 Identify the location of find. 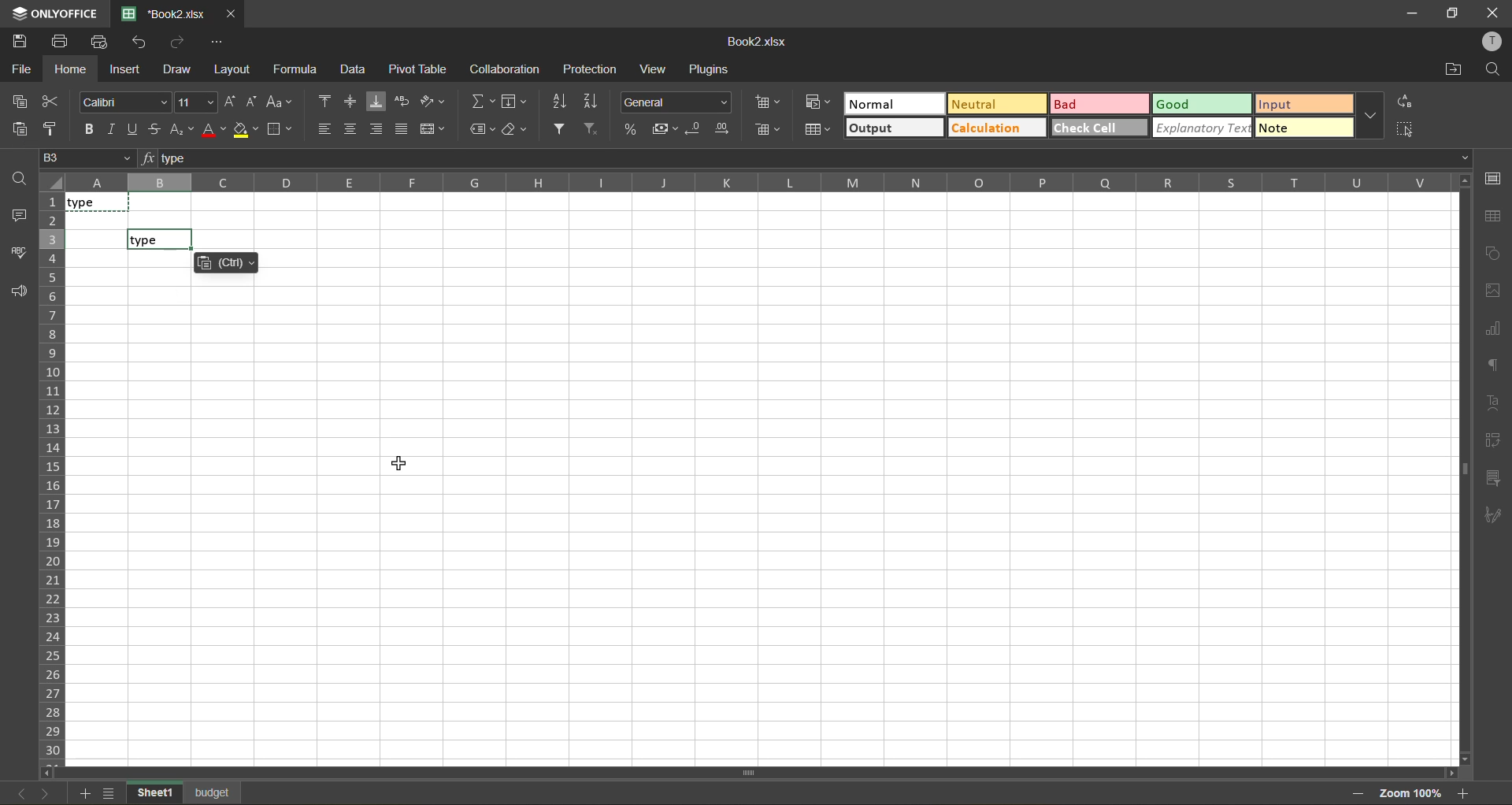
(1492, 70).